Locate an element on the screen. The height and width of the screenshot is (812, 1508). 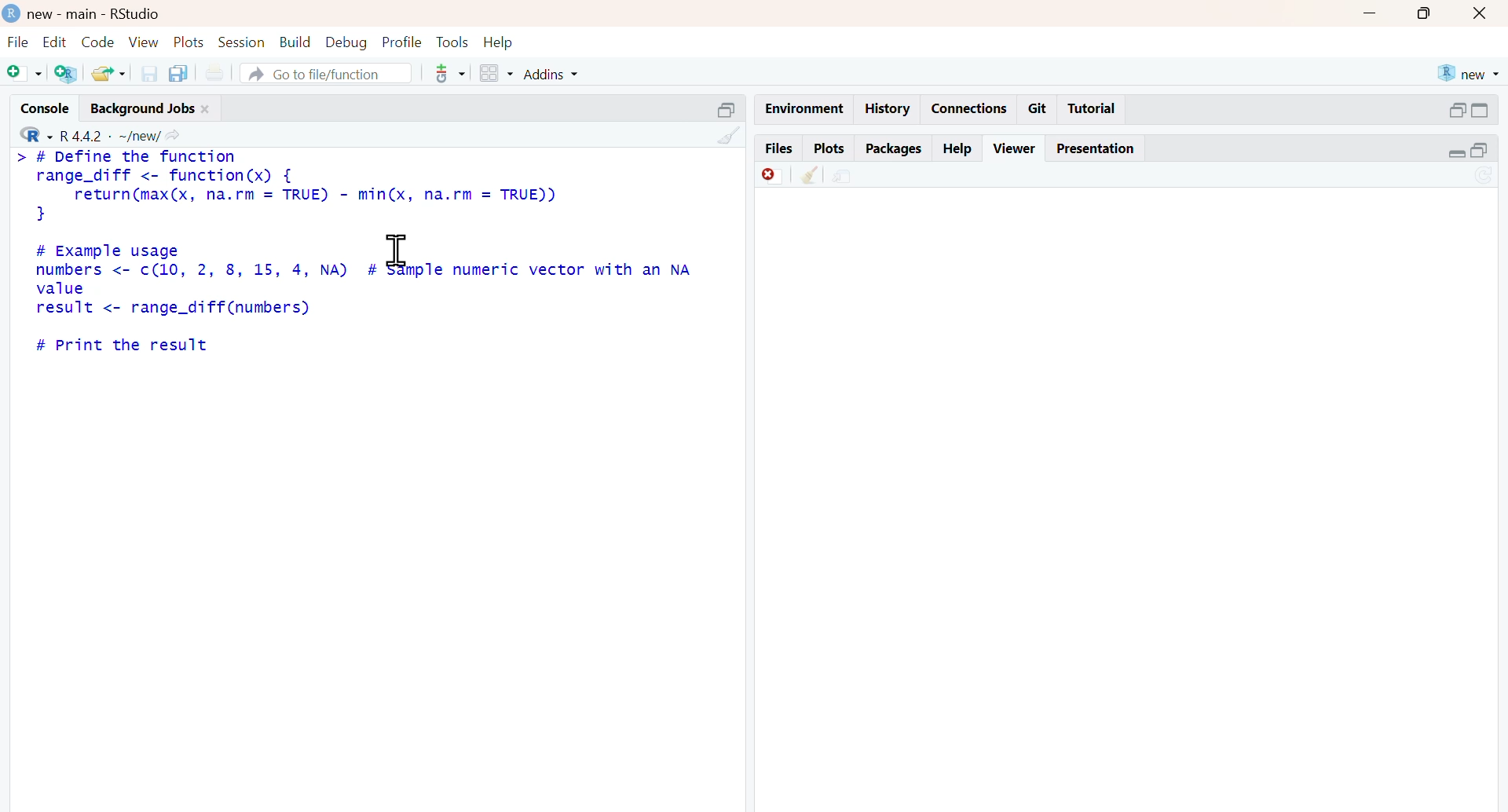
 is located at coordinates (727, 110).